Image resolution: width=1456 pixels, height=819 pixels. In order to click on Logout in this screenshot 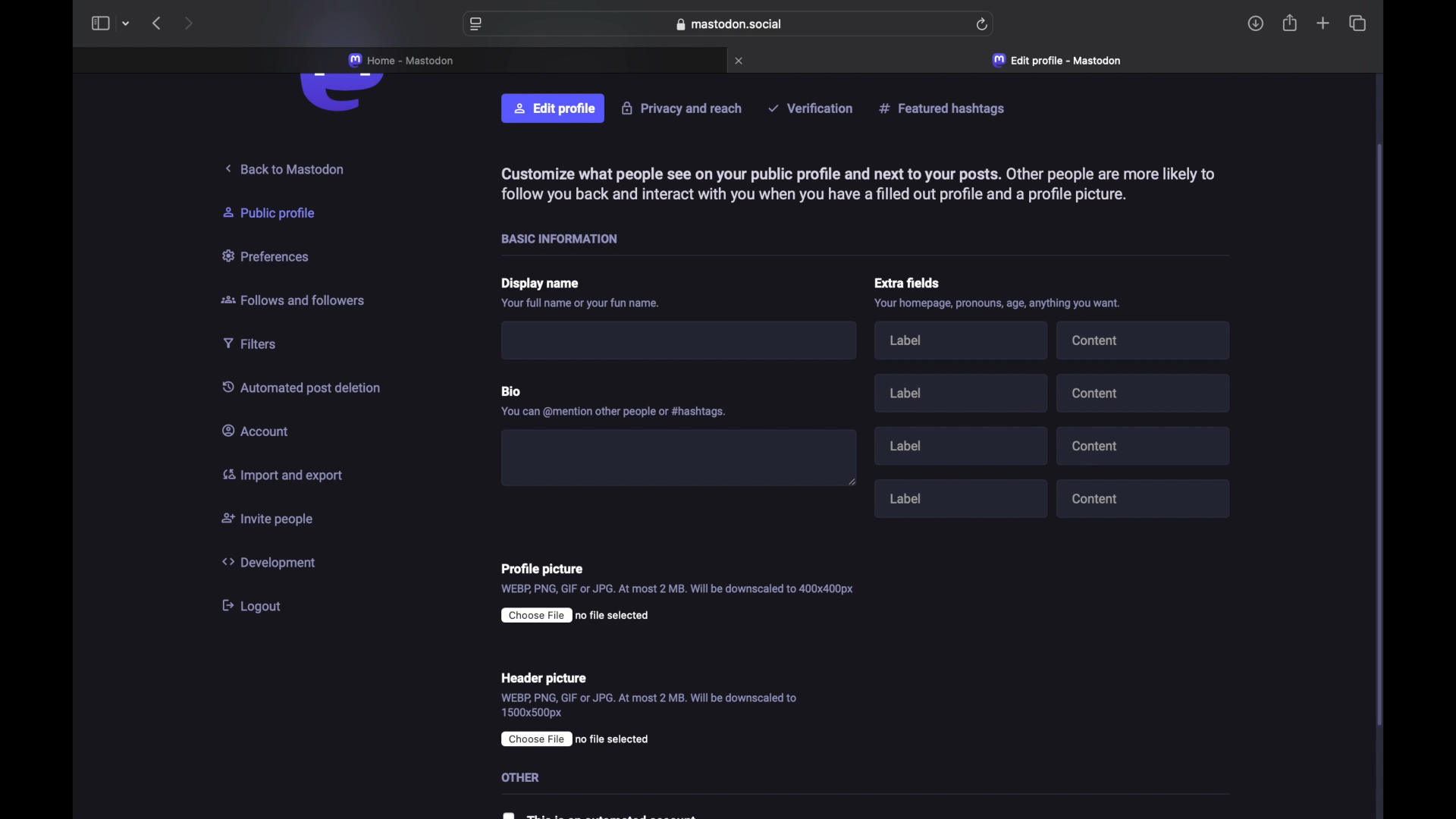, I will do `click(253, 607)`.